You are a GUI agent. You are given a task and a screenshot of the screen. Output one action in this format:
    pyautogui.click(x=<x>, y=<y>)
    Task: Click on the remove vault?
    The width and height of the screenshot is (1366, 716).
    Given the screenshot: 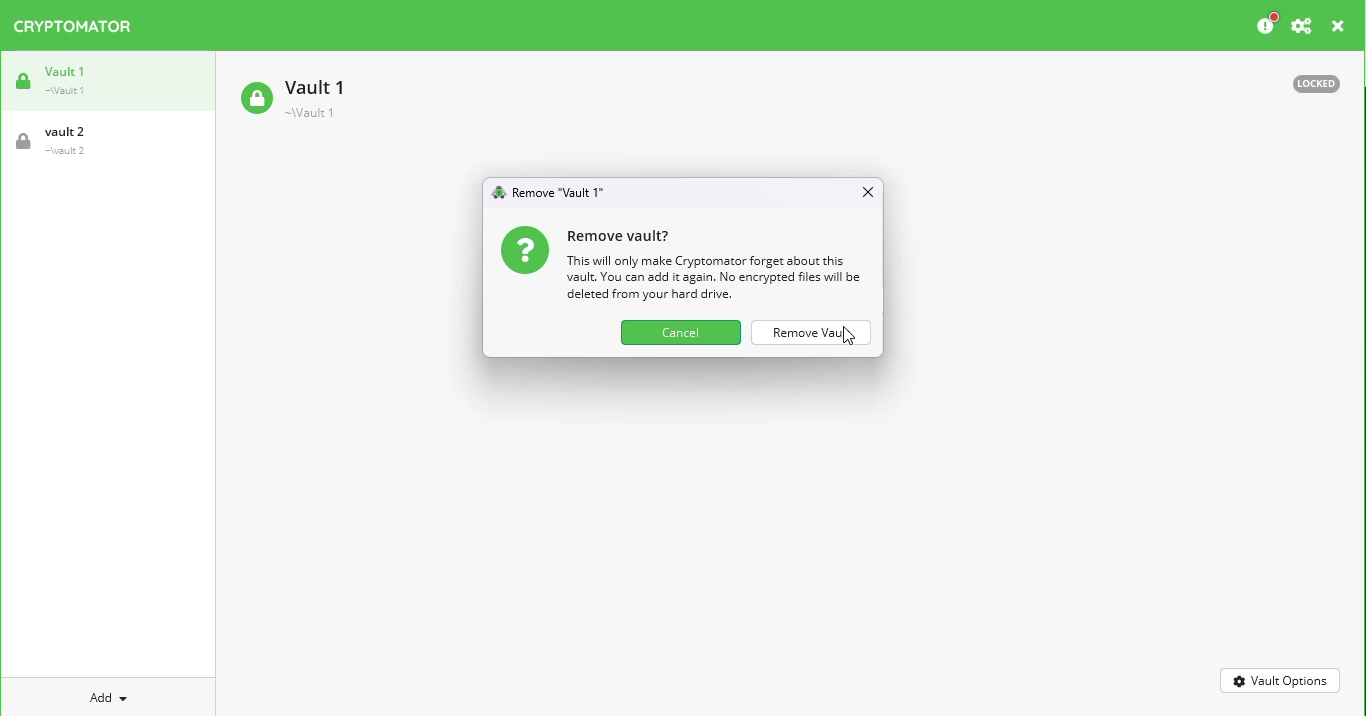 What is the action you would take?
    pyautogui.click(x=618, y=237)
    